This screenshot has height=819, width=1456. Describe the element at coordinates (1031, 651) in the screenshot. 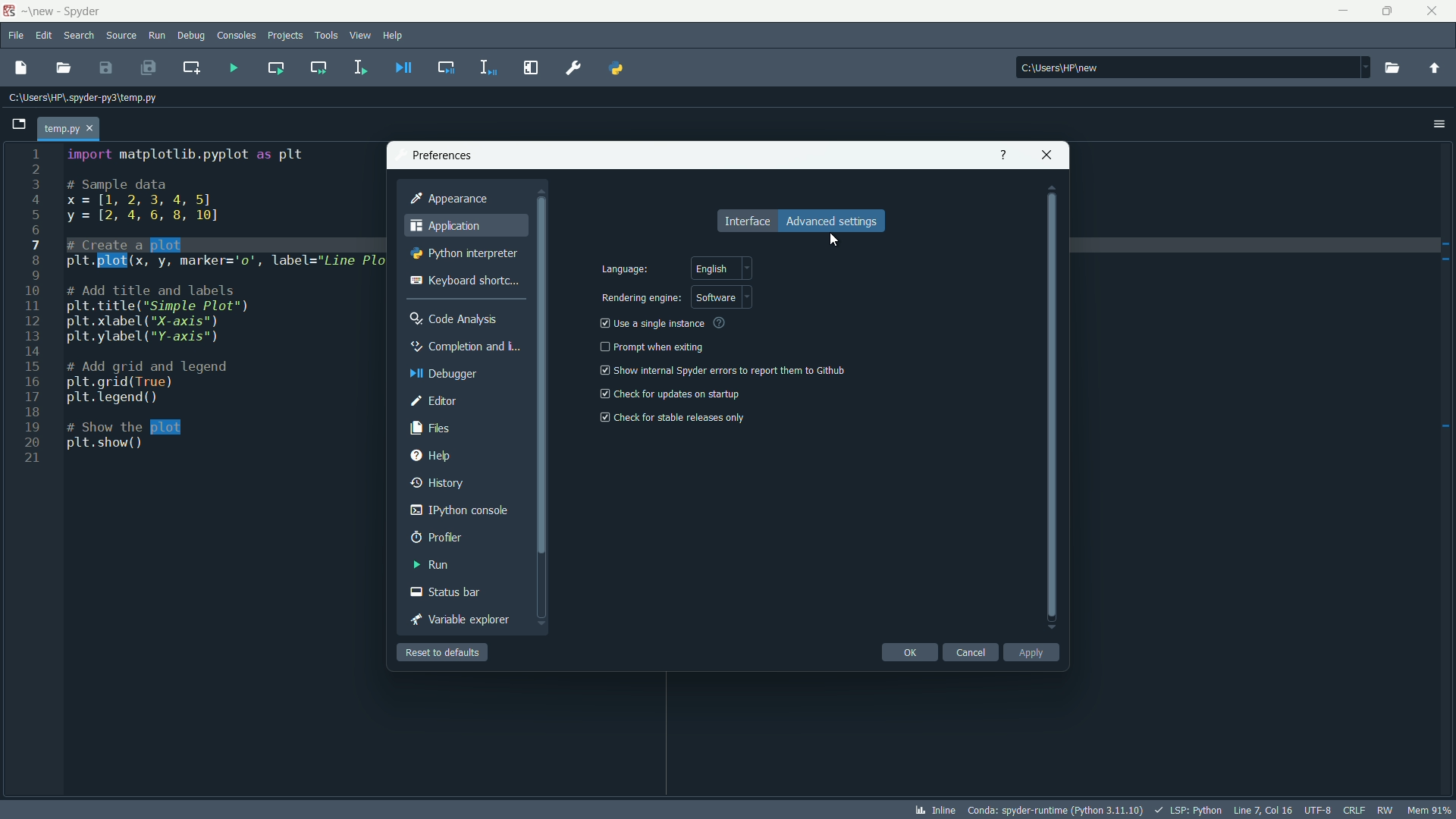

I see `apply` at that location.